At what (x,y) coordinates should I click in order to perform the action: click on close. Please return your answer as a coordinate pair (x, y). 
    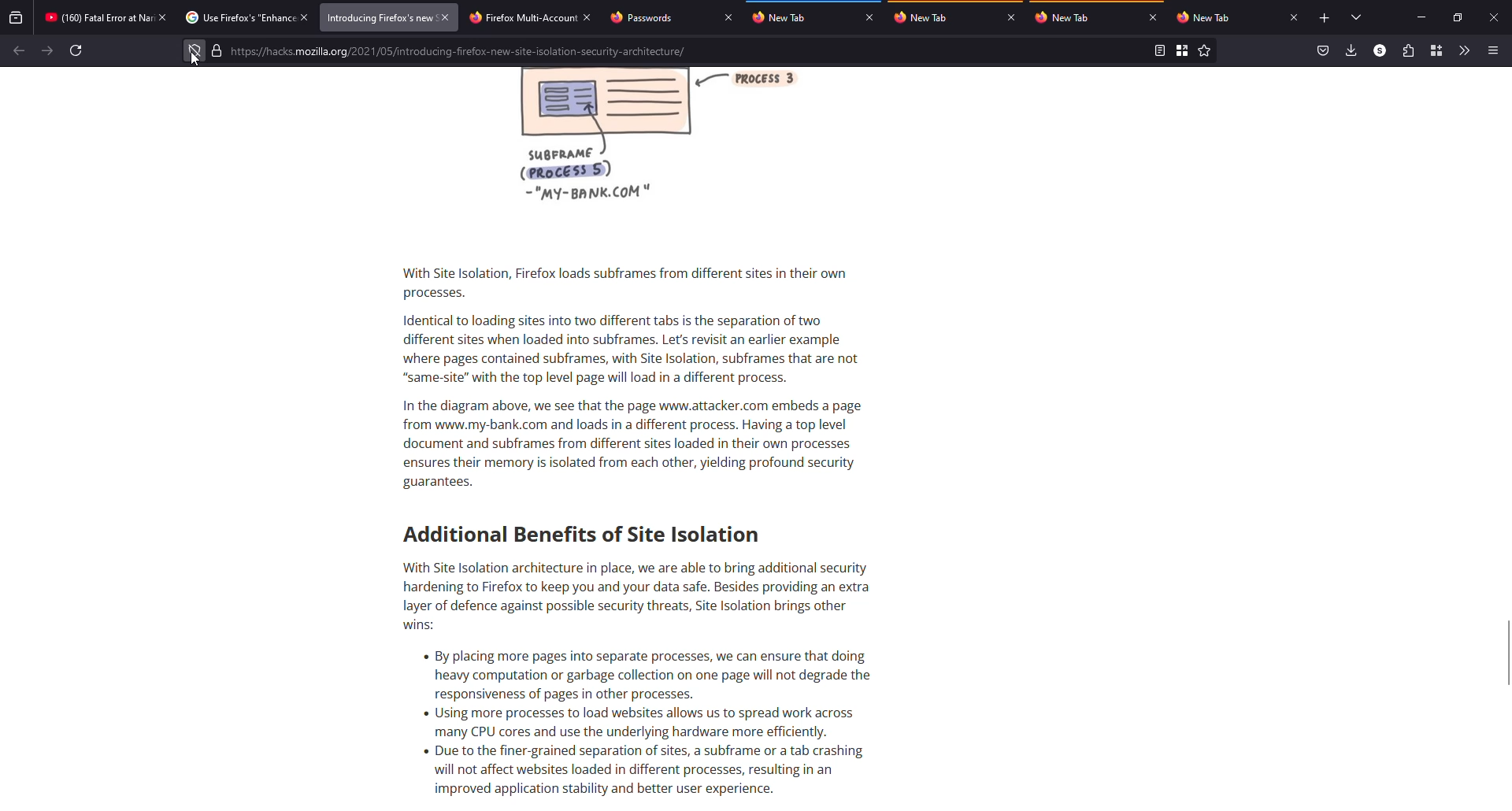
    Looking at the image, I should click on (306, 17).